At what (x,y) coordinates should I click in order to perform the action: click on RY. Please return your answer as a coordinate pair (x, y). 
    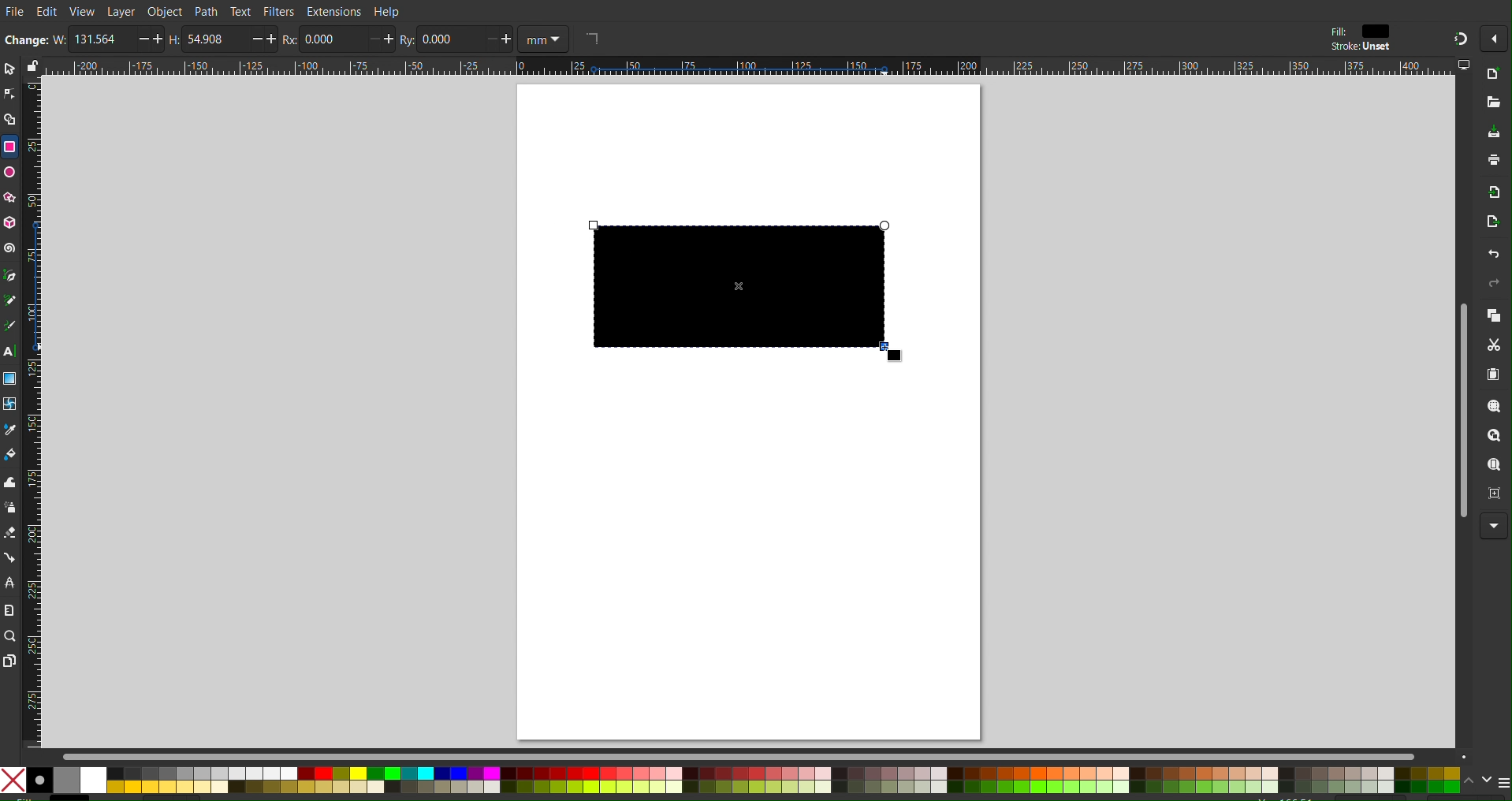
    Looking at the image, I should click on (407, 40).